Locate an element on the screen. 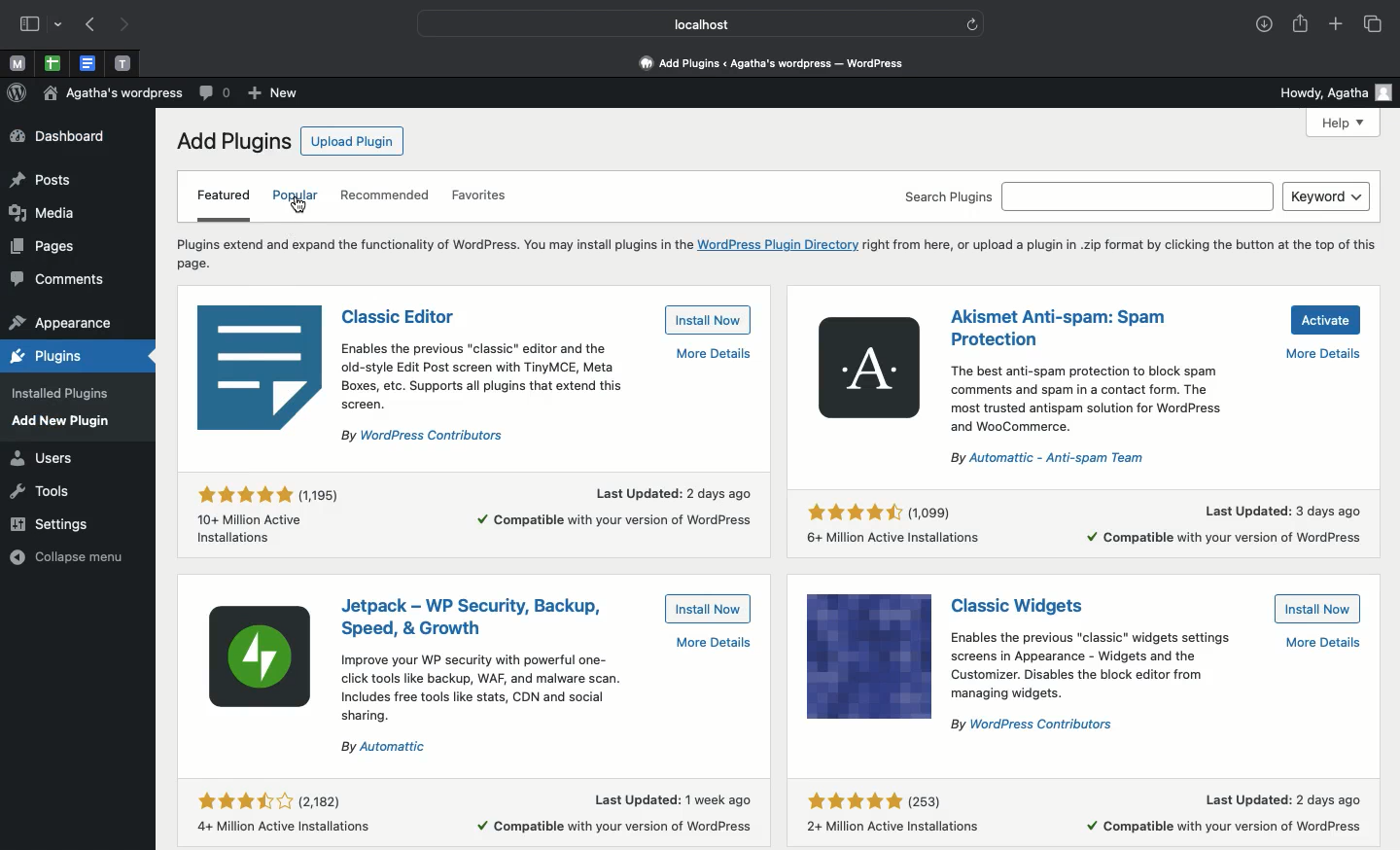 This screenshot has width=1400, height=850. Tabs is located at coordinates (1374, 23).